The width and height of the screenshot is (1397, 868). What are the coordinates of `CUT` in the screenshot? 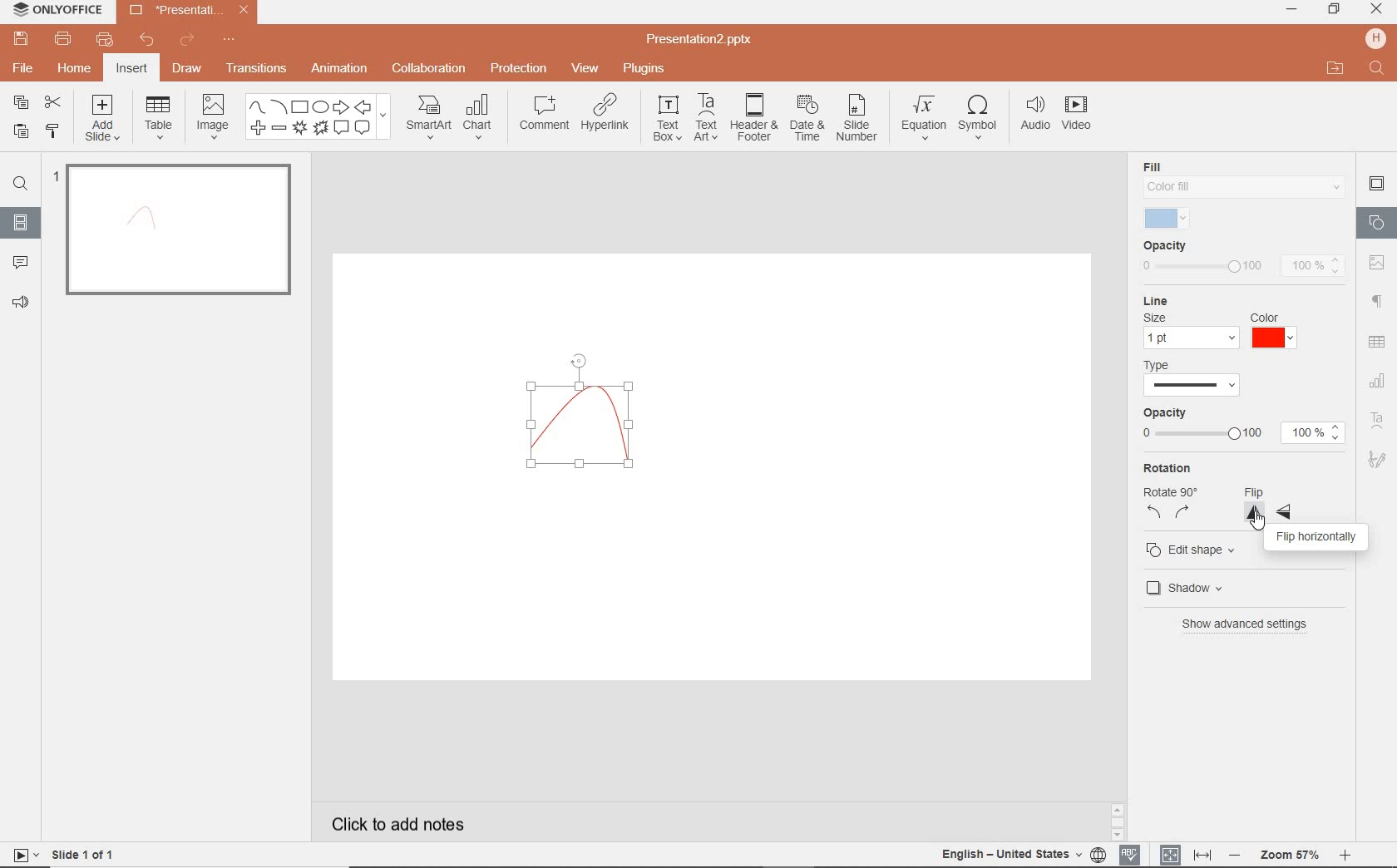 It's located at (52, 102).